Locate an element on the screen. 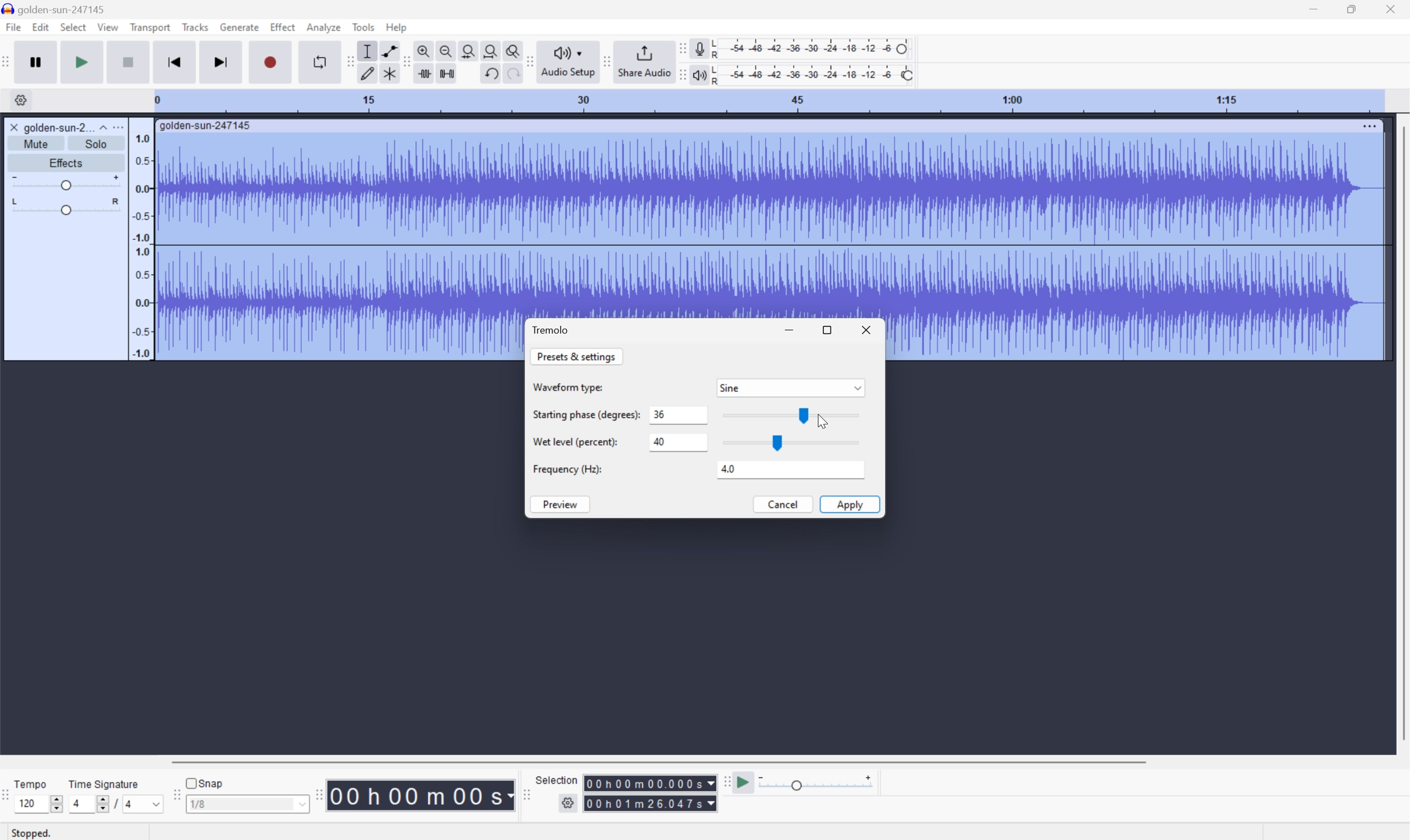 The width and height of the screenshot is (1410, 840). Audacity playback meter toolbar is located at coordinates (682, 74).